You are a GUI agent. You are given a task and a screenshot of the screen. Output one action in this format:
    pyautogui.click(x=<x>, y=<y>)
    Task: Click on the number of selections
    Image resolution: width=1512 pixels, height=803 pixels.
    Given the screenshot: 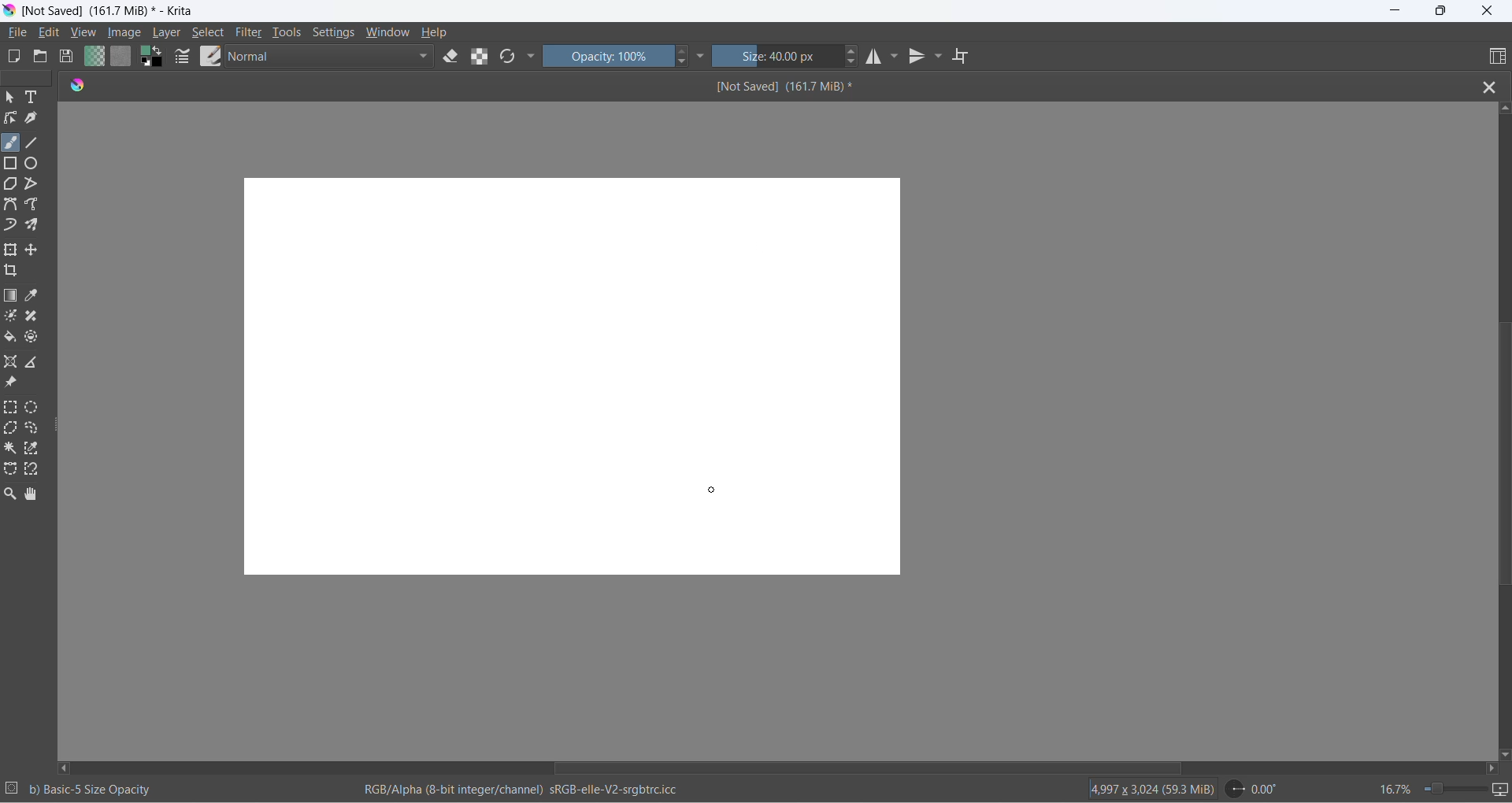 What is the action you would take?
    pyautogui.click(x=12, y=790)
    